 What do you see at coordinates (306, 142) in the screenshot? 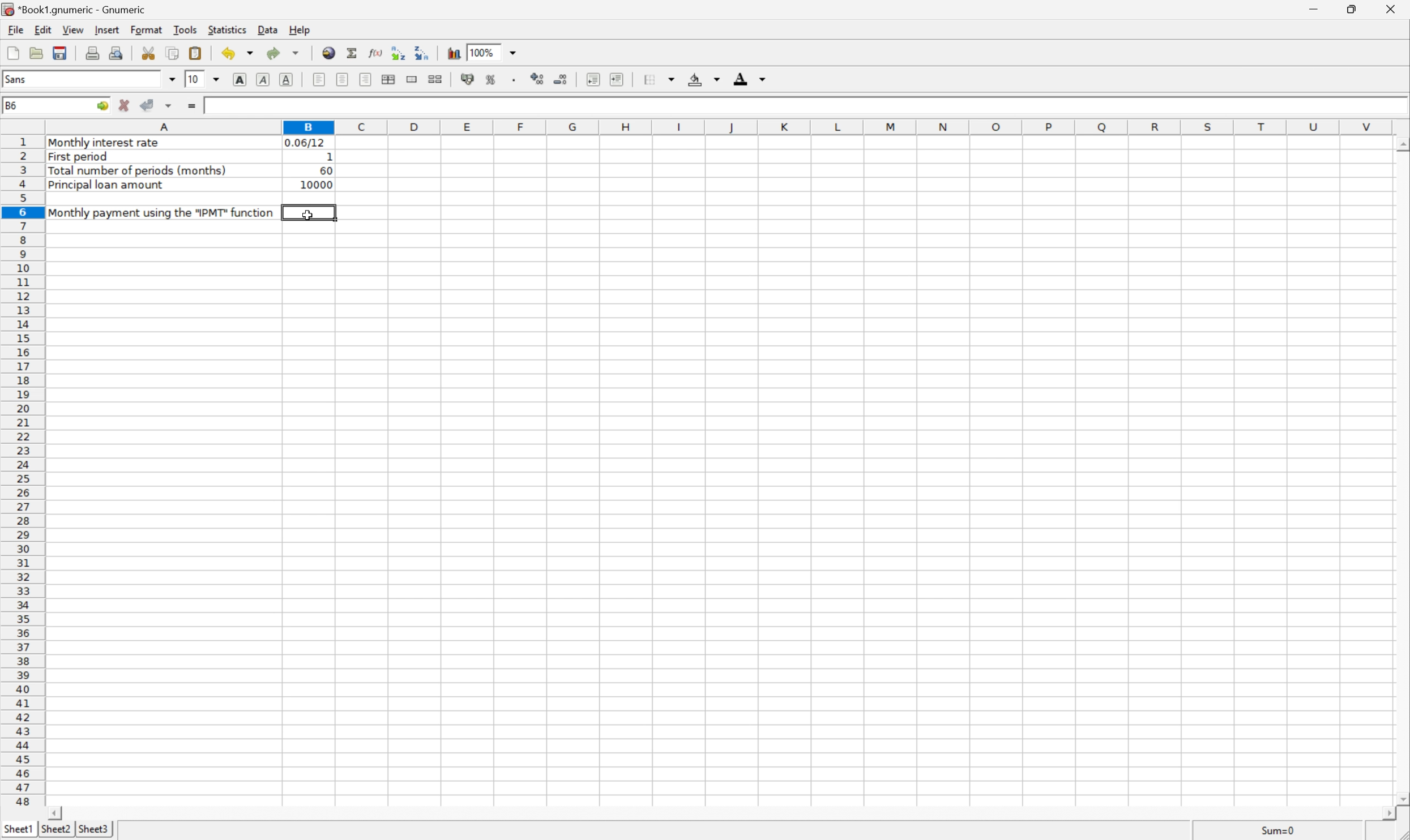
I see `0.06/12` at bounding box center [306, 142].